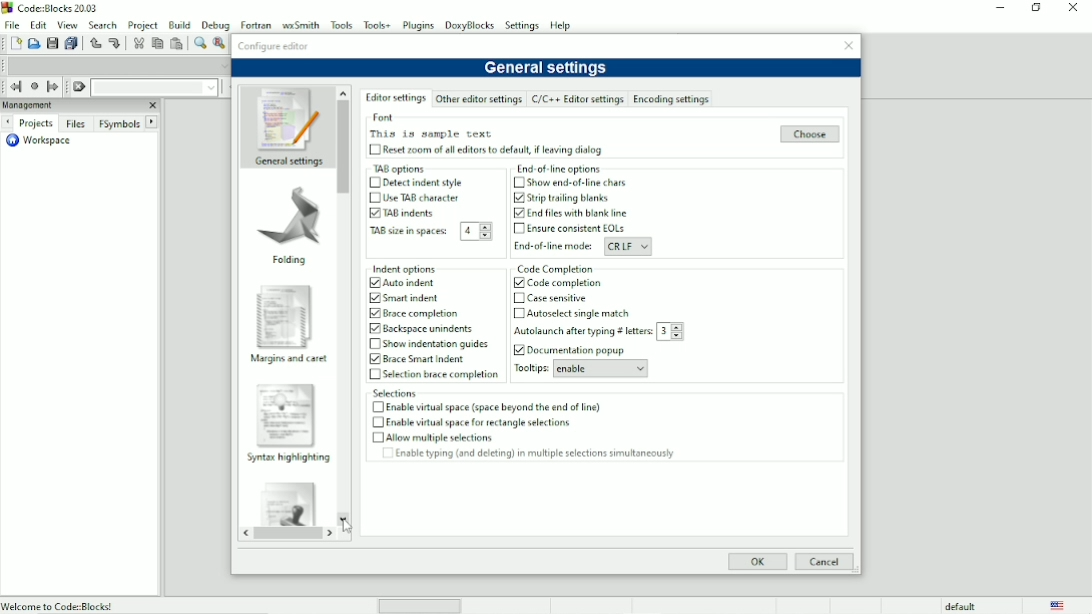  I want to click on CRLF, so click(619, 246).